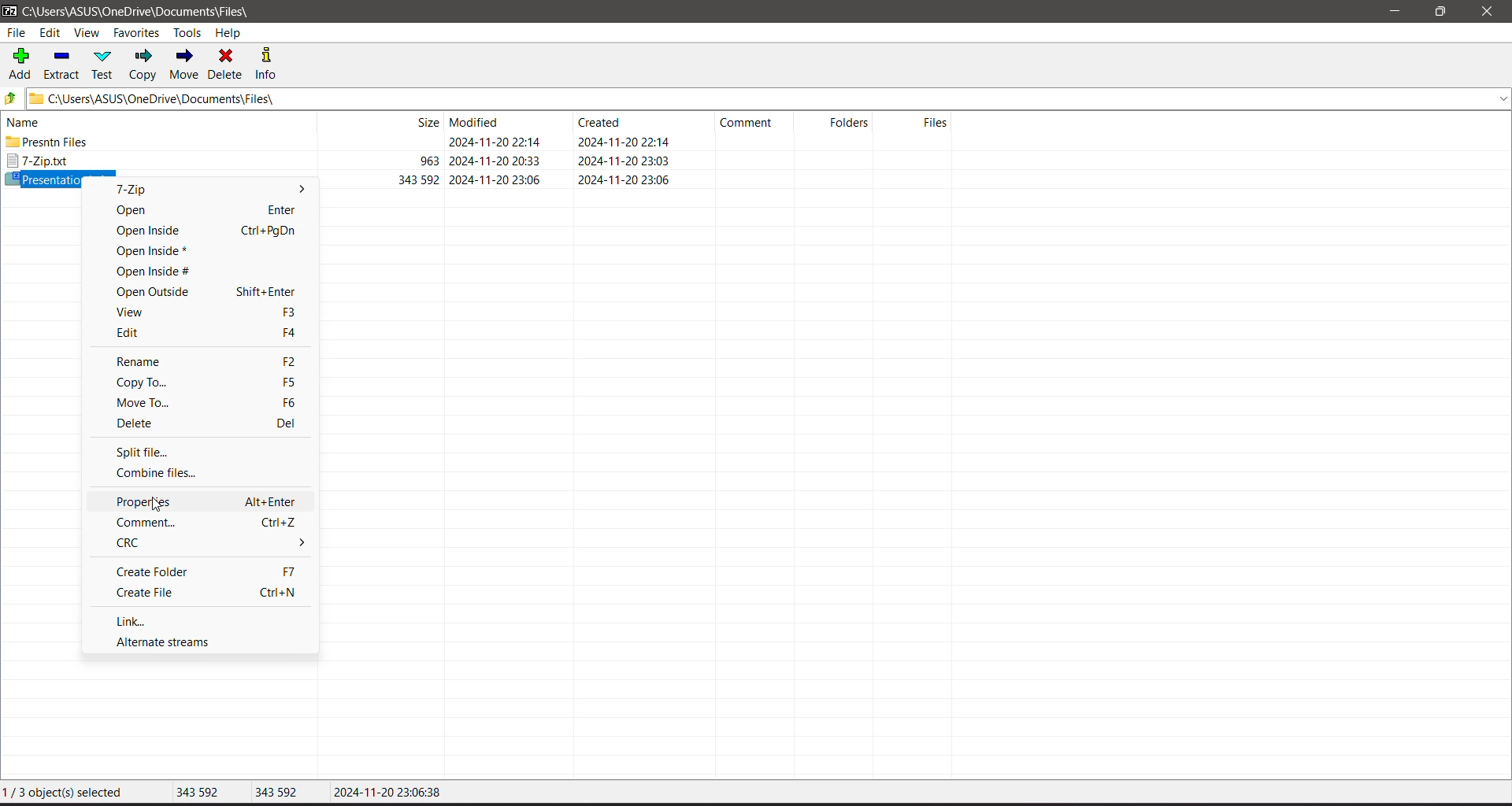 This screenshot has width=1512, height=806. What do you see at coordinates (187, 360) in the screenshot?
I see `Rename` at bounding box center [187, 360].